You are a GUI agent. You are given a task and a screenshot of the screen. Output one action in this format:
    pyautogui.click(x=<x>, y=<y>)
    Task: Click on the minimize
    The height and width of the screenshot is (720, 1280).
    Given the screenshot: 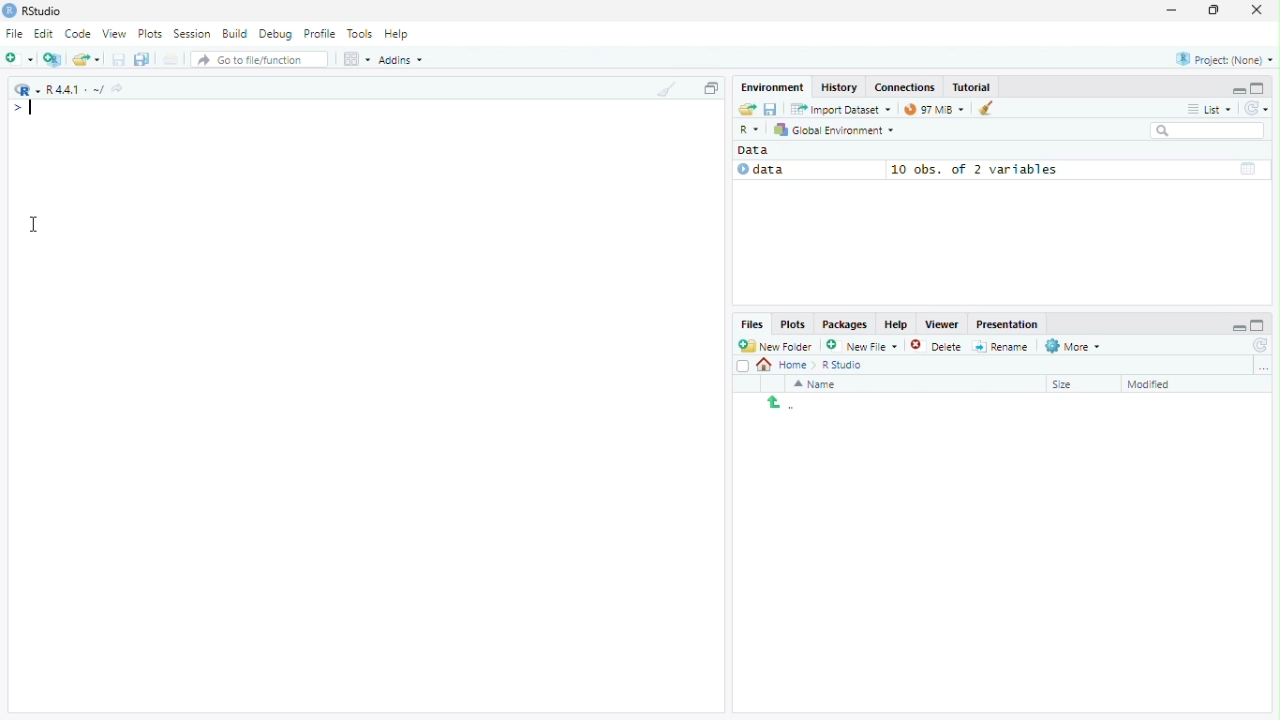 What is the action you would take?
    pyautogui.click(x=1237, y=323)
    